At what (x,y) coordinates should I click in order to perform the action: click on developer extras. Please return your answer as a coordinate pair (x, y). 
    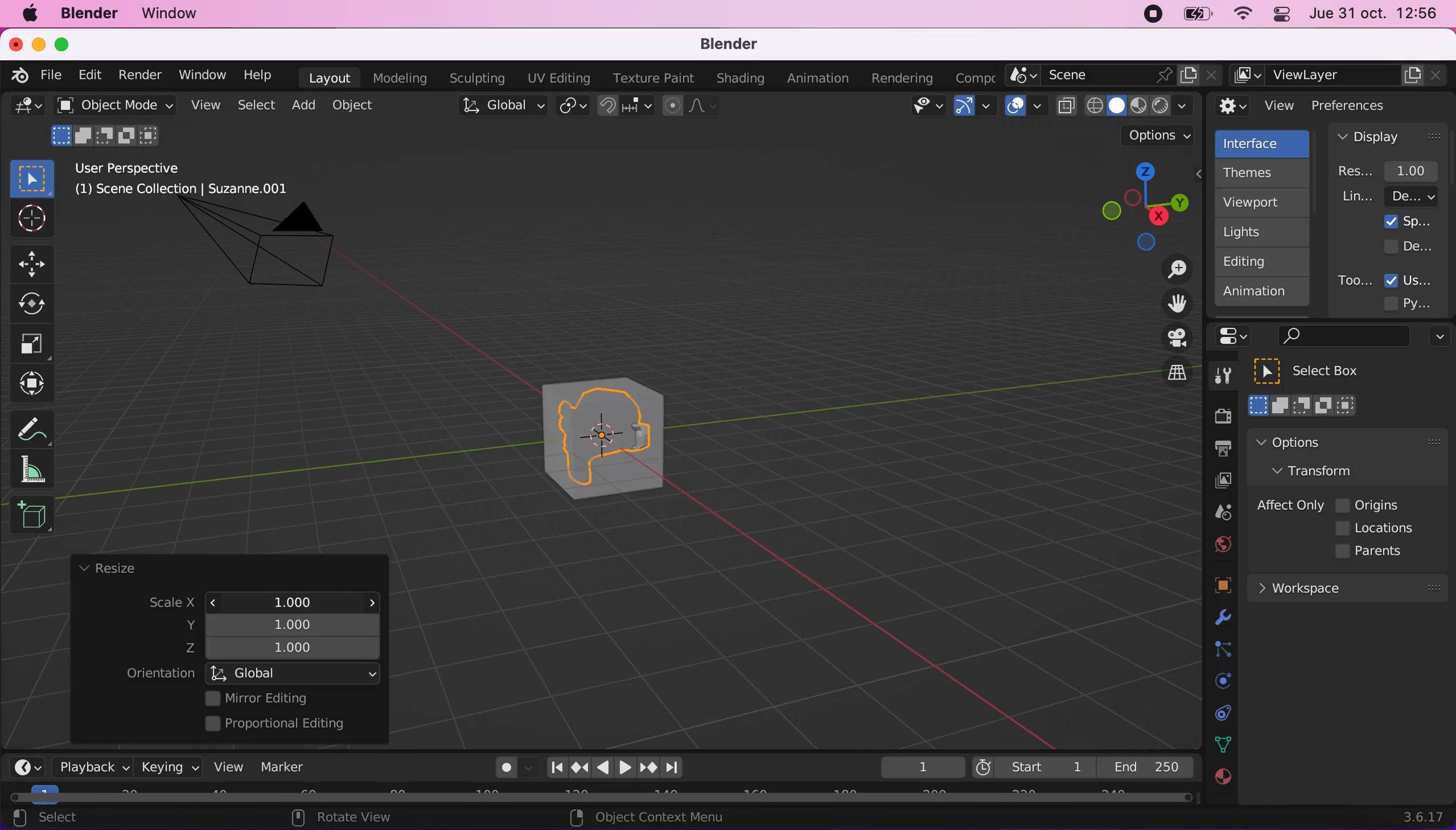
    Looking at the image, I should click on (1410, 246).